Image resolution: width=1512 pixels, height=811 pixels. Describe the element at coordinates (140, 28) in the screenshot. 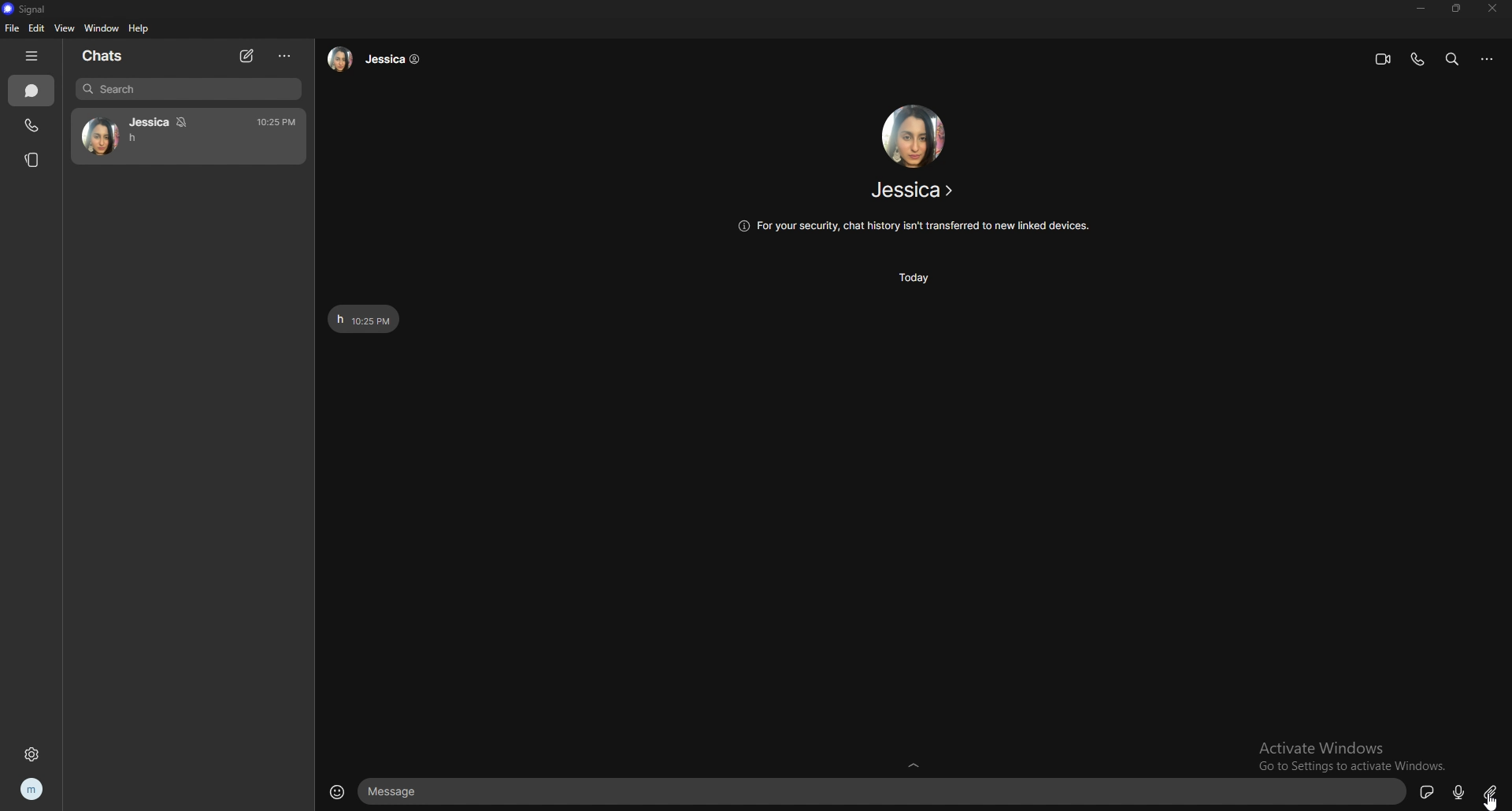

I see `help` at that location.